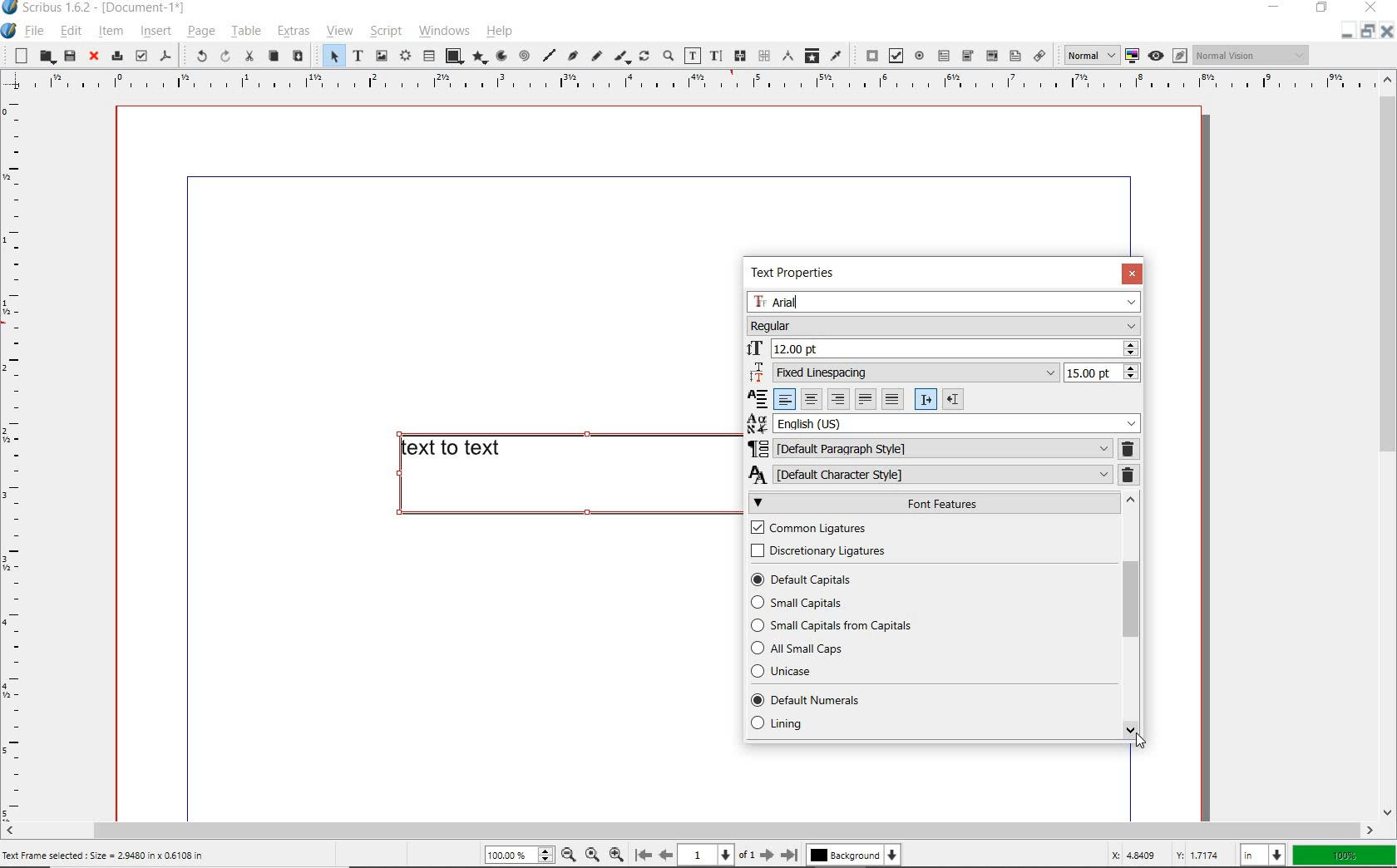  I want to click on Zoom out, so click(565, 855).